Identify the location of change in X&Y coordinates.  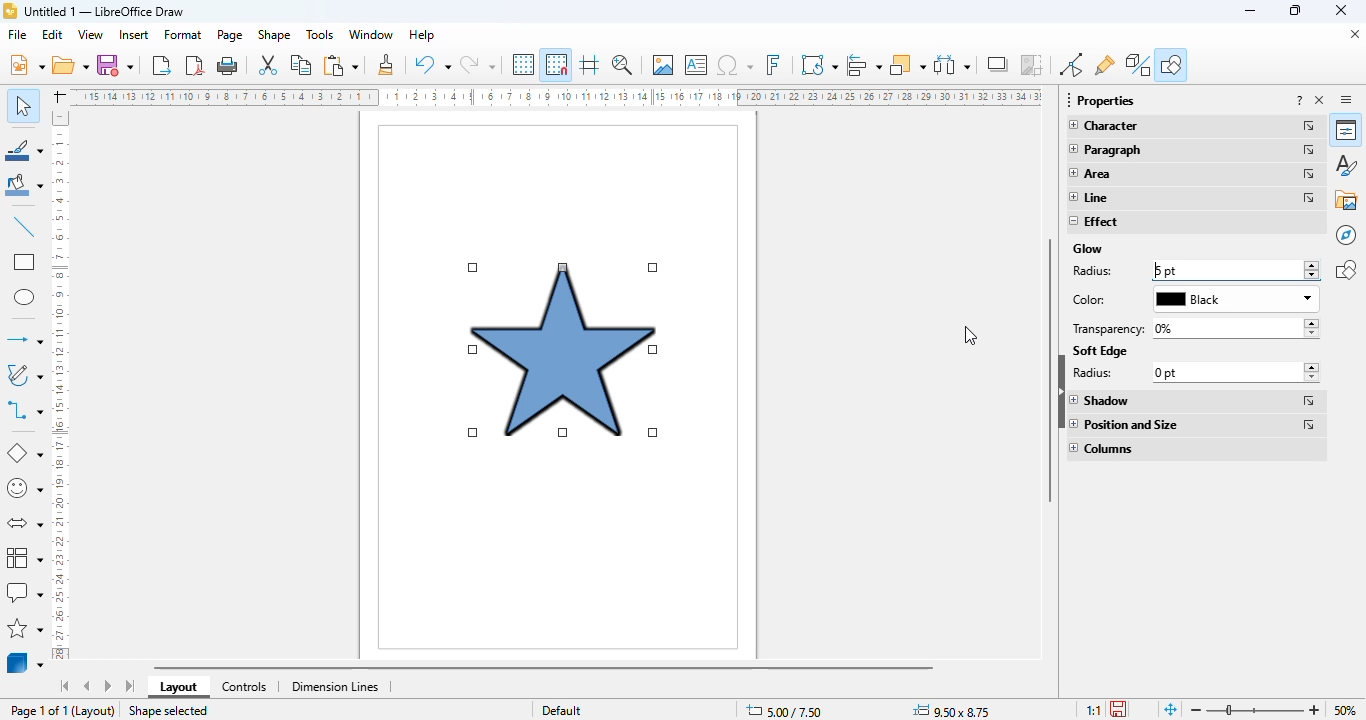
(785, 711).